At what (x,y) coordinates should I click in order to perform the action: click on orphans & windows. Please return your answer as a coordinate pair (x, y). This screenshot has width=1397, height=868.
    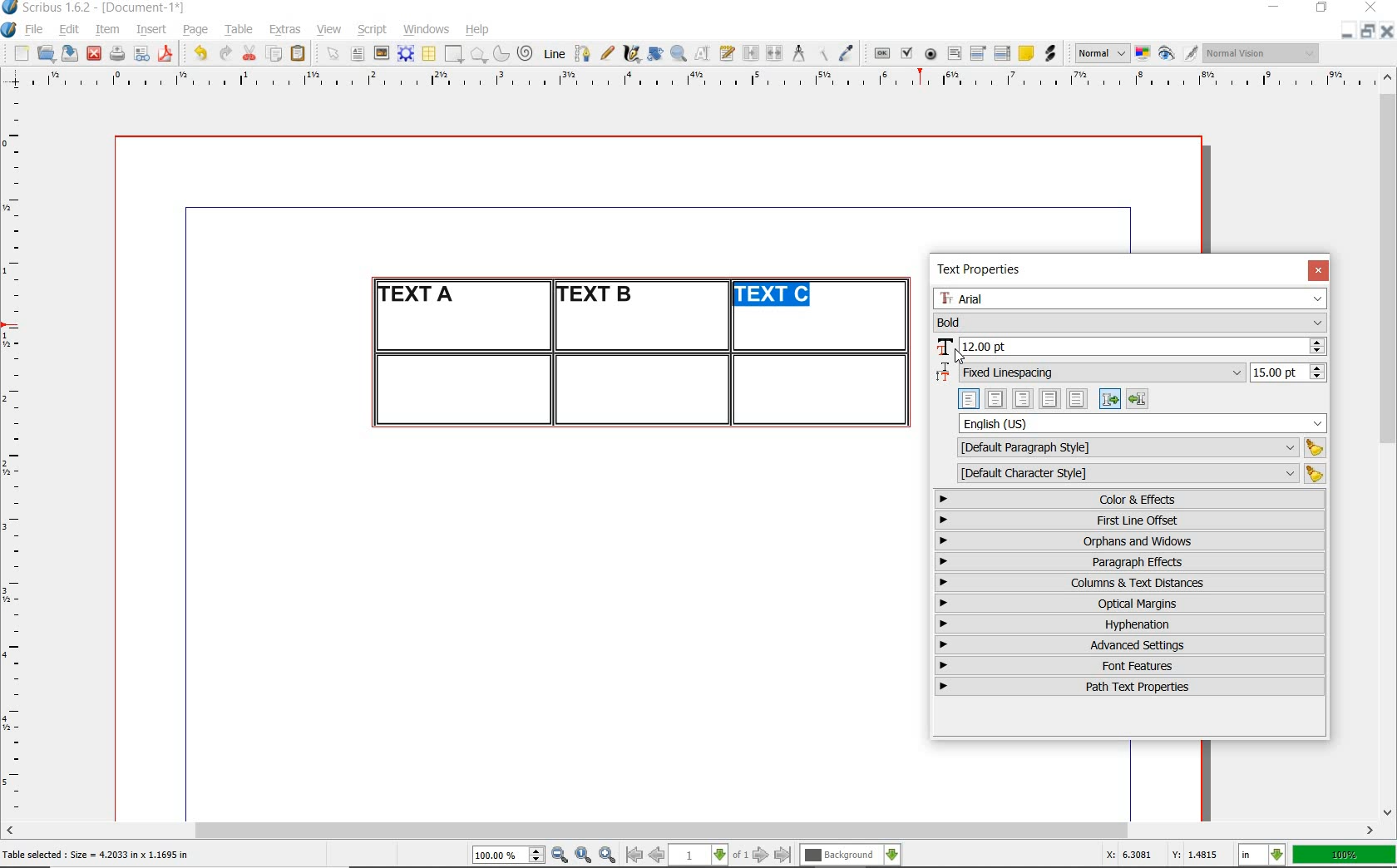
    Looking at the image, I should click on (1128, 542).